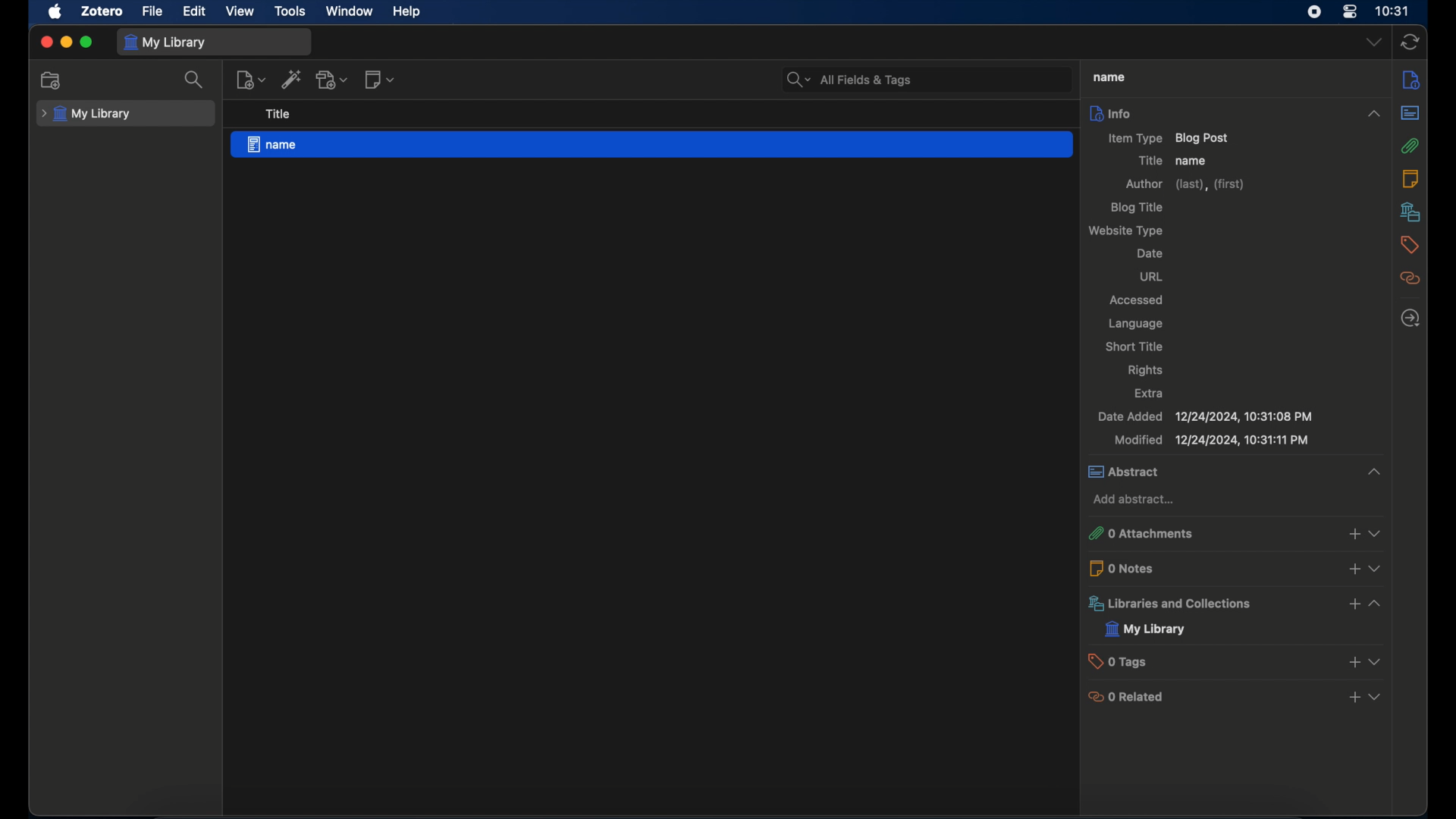 This screenshot has width=1456, height=819. I want to click on 0 tags, so click(1238, 661).